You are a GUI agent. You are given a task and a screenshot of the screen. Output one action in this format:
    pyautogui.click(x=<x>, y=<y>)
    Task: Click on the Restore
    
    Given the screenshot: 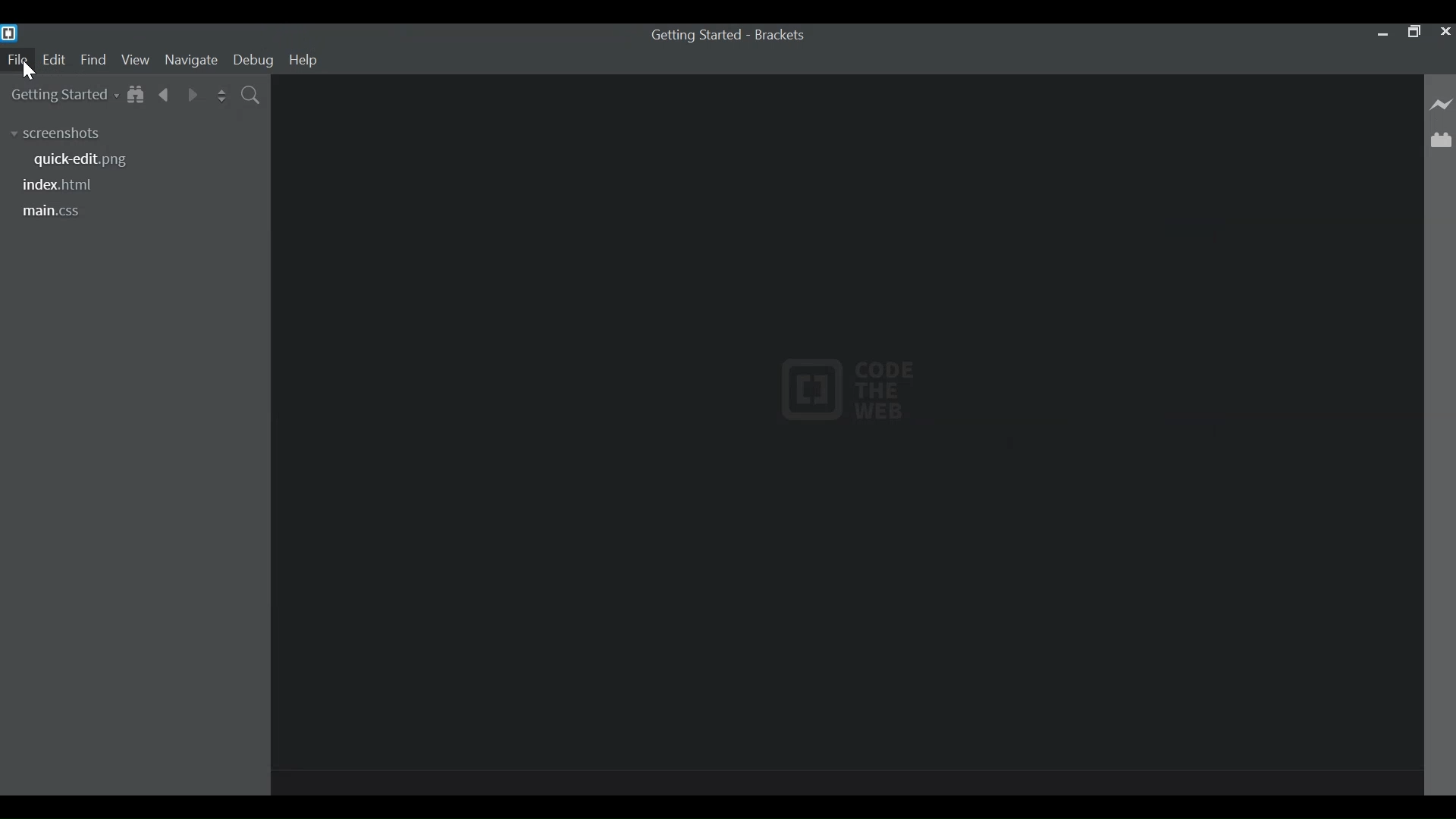 What is the action you would take?
    pyautogui.click(x=1411, y=31)
    